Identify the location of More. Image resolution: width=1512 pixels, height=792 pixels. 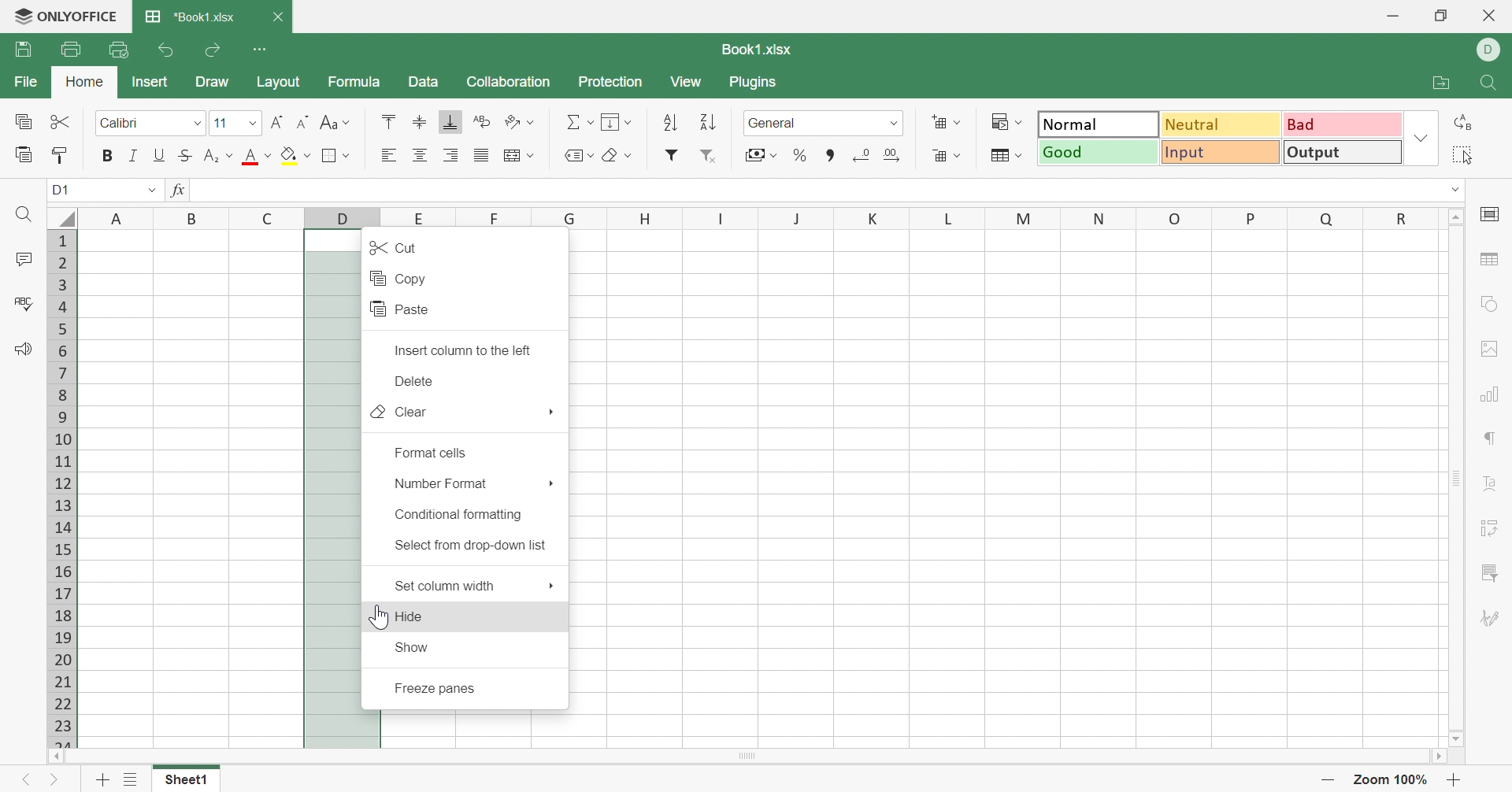
(551, 483).